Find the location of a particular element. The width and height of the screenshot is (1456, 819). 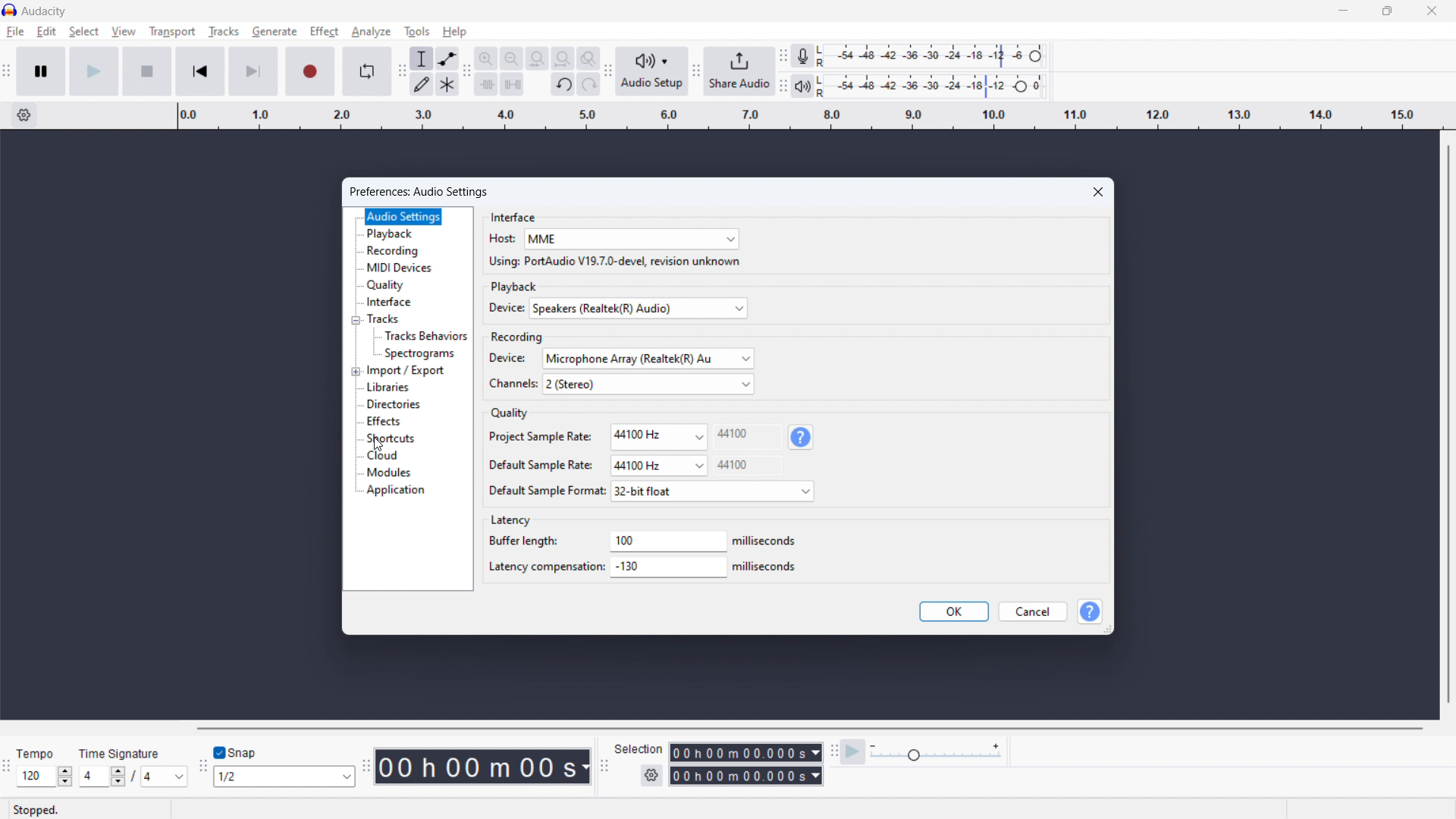

playback is located at coordinates (516, 285).